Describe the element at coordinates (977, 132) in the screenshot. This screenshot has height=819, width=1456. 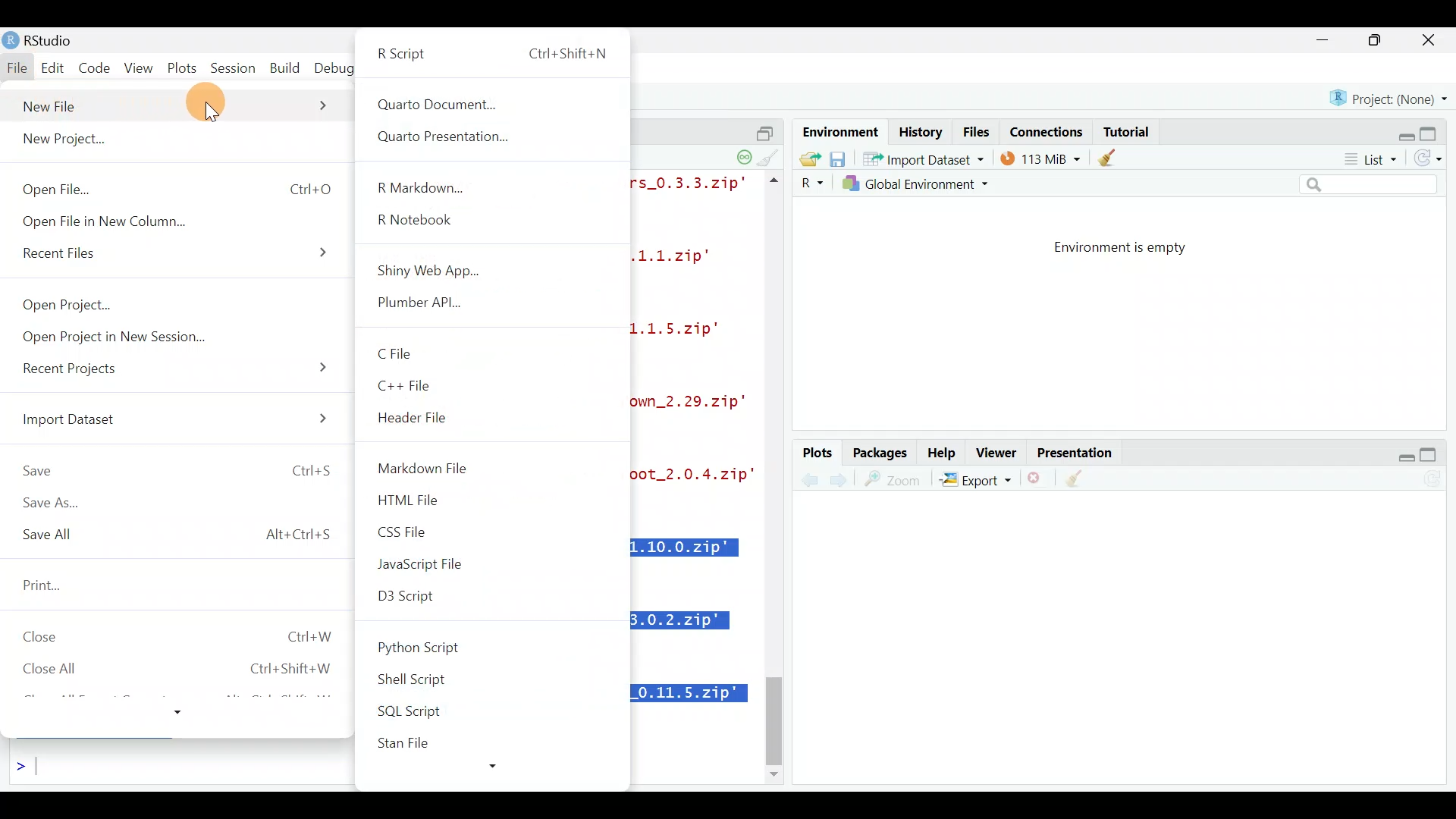
I see `Files` at that location.